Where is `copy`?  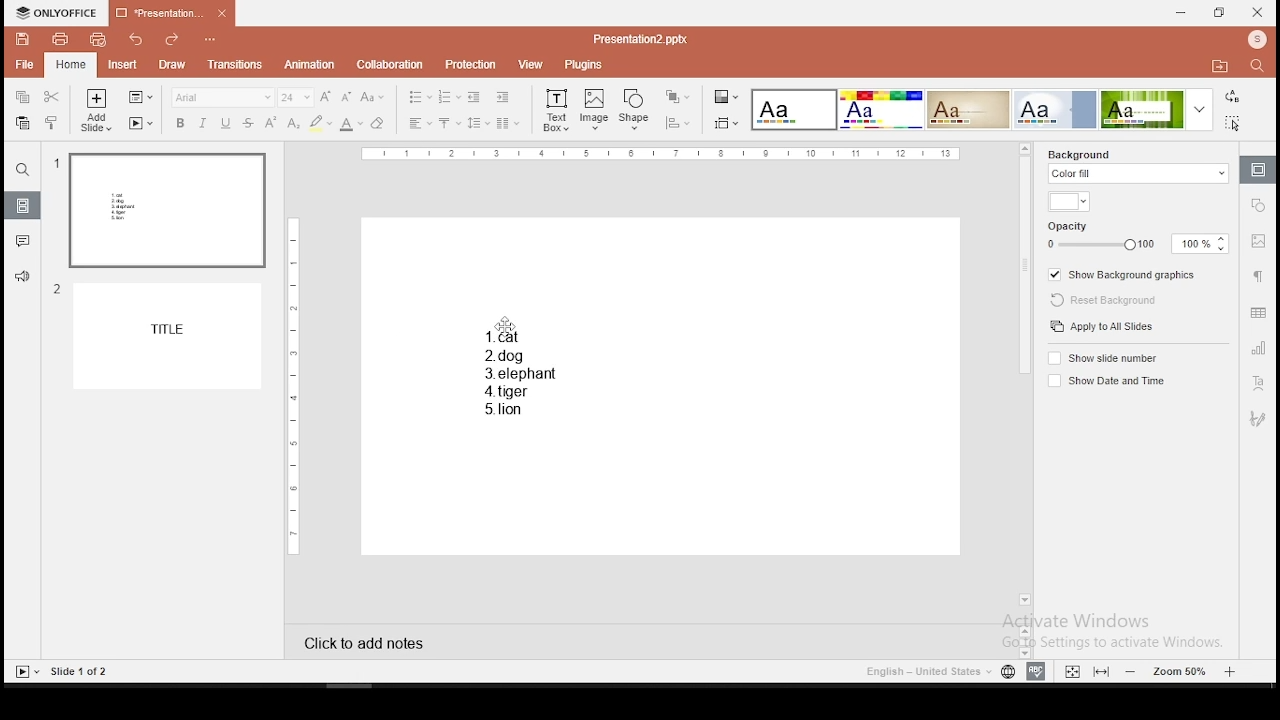
copy is located at coordinates (23, 97).